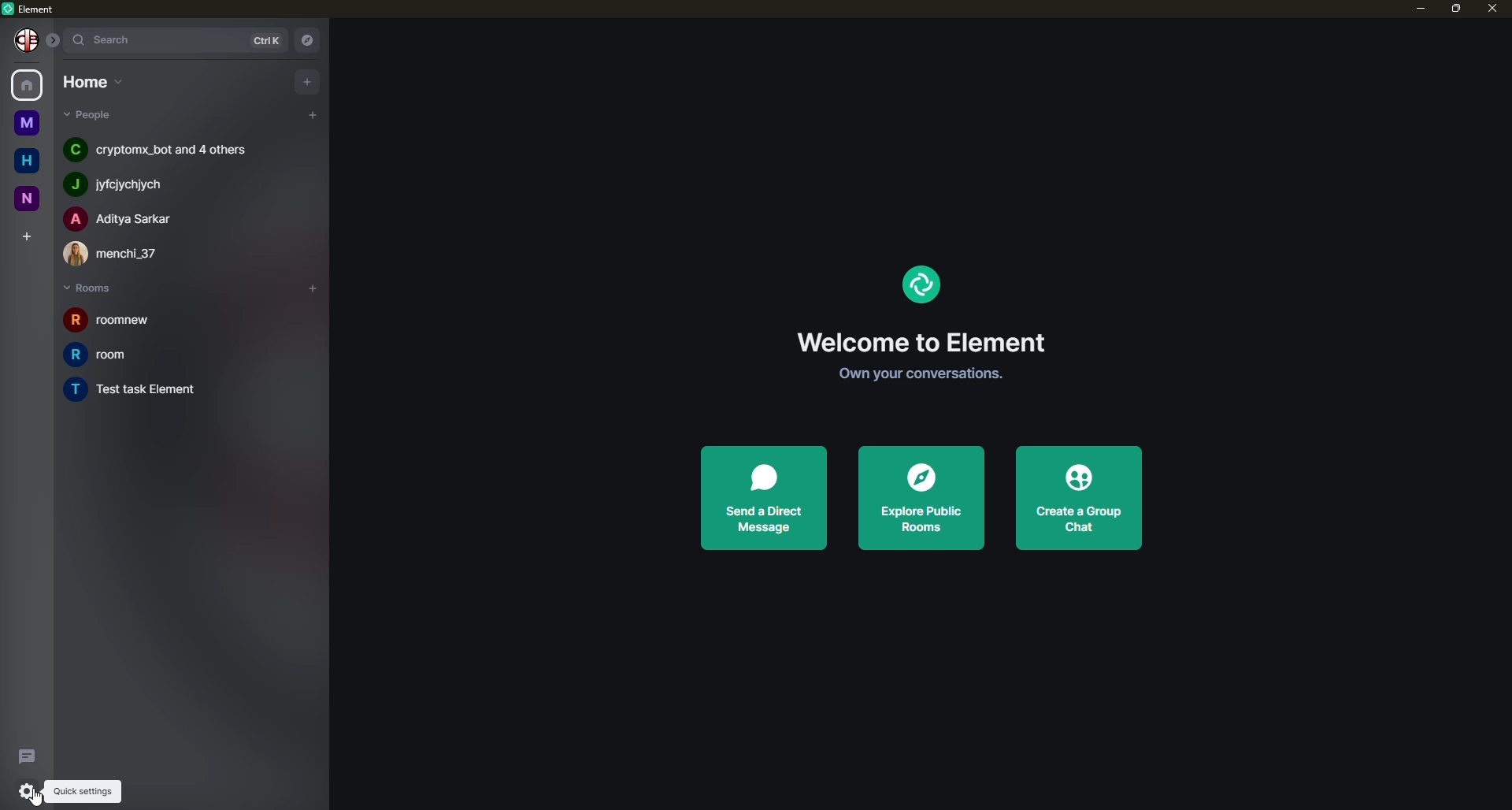  I want to click on navigator, so click(310, 39).